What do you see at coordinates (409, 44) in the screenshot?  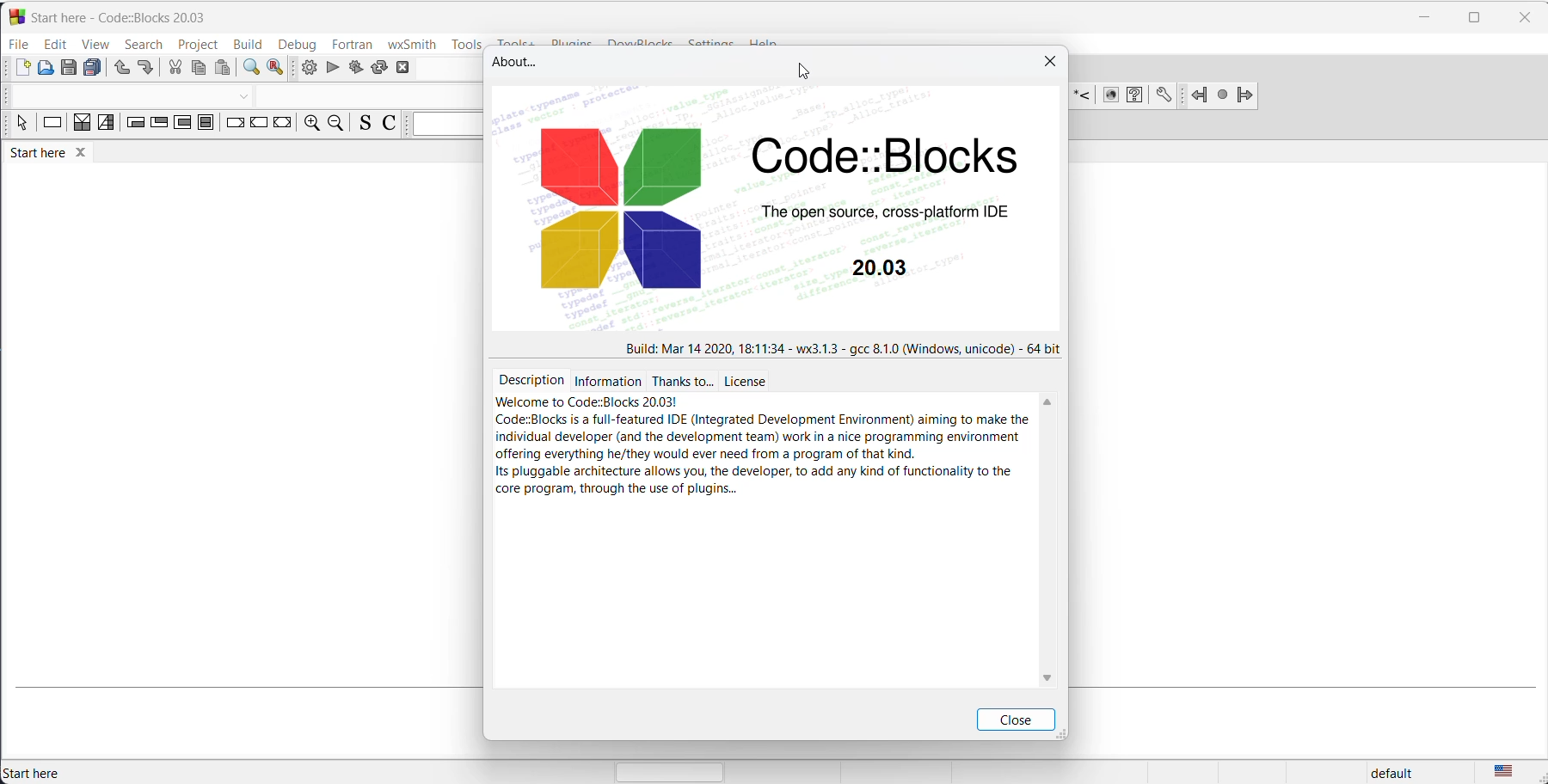 I see `wxsmith` at bounding box center [409, 44].